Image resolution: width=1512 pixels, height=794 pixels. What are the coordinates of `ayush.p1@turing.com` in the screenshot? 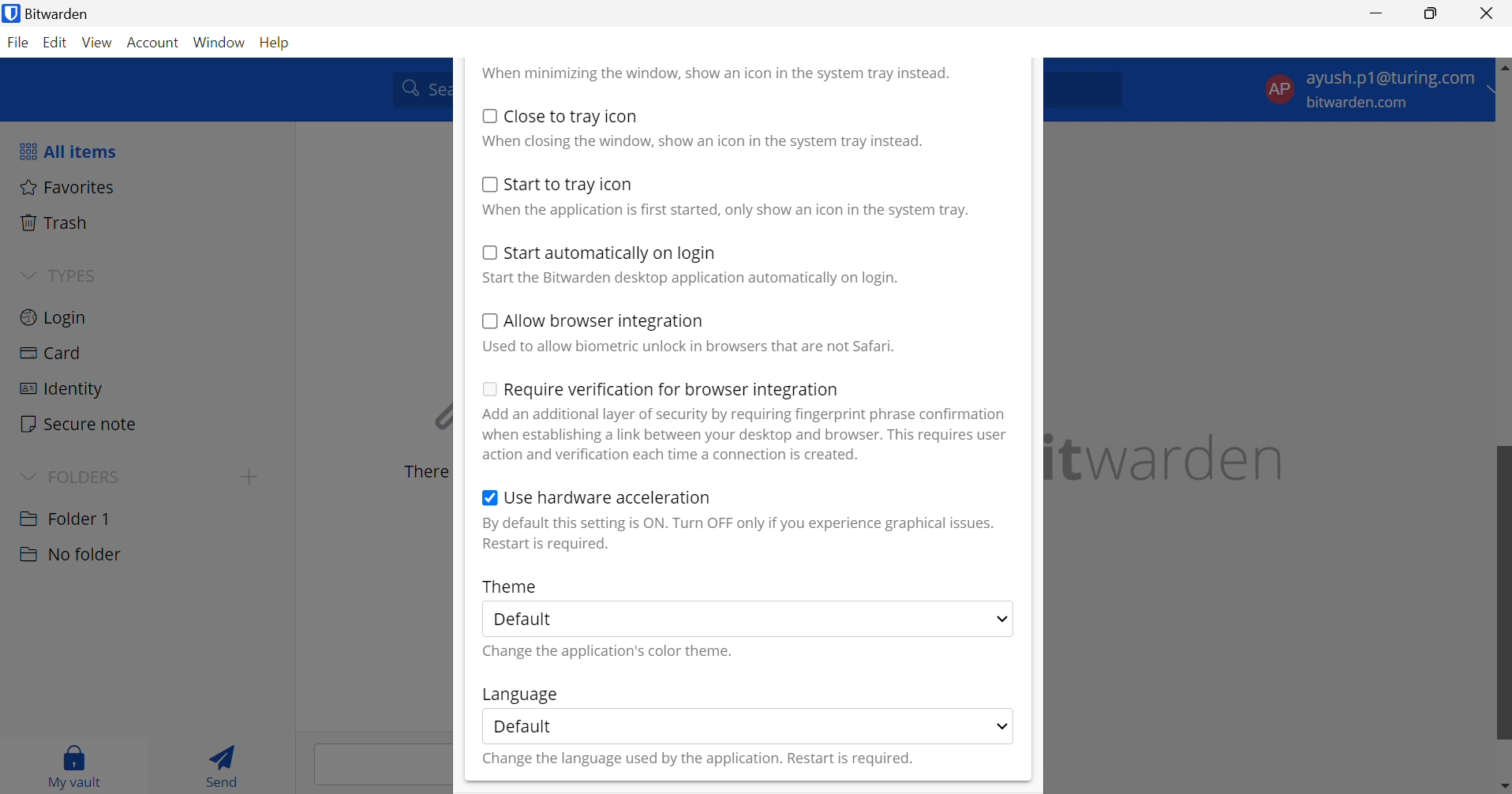 It's located at (1390, 81).